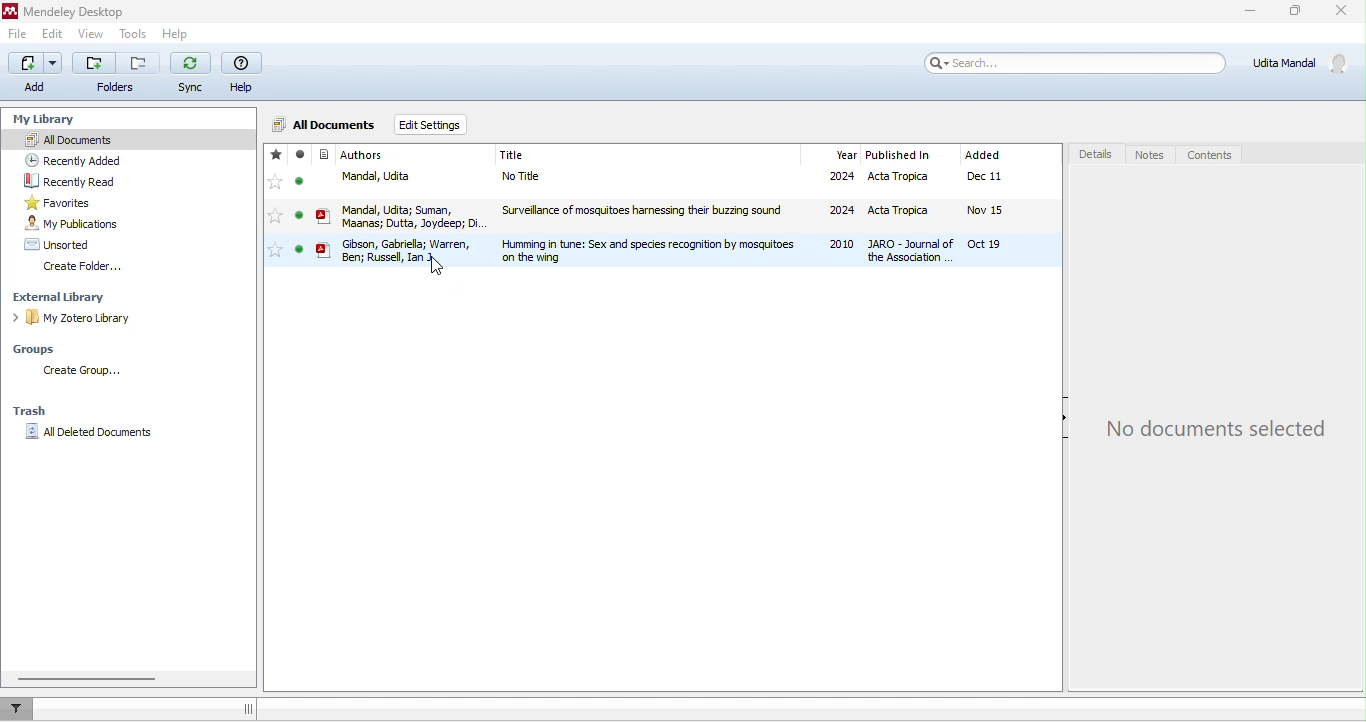 This screenshot has width=1366, height=722. I want to click on added , so click(983, 154).